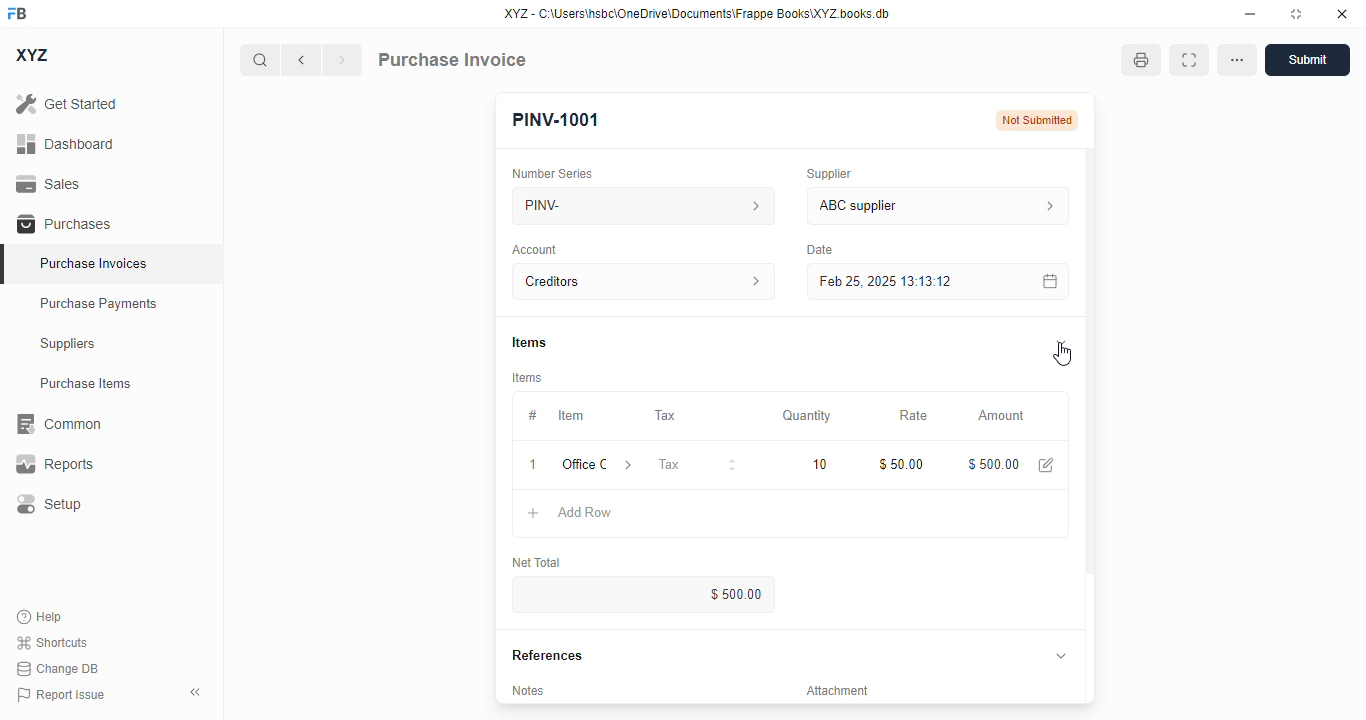  Describe the element at coordinates (301, 60) in the screenshot. I see `previous` at that location.